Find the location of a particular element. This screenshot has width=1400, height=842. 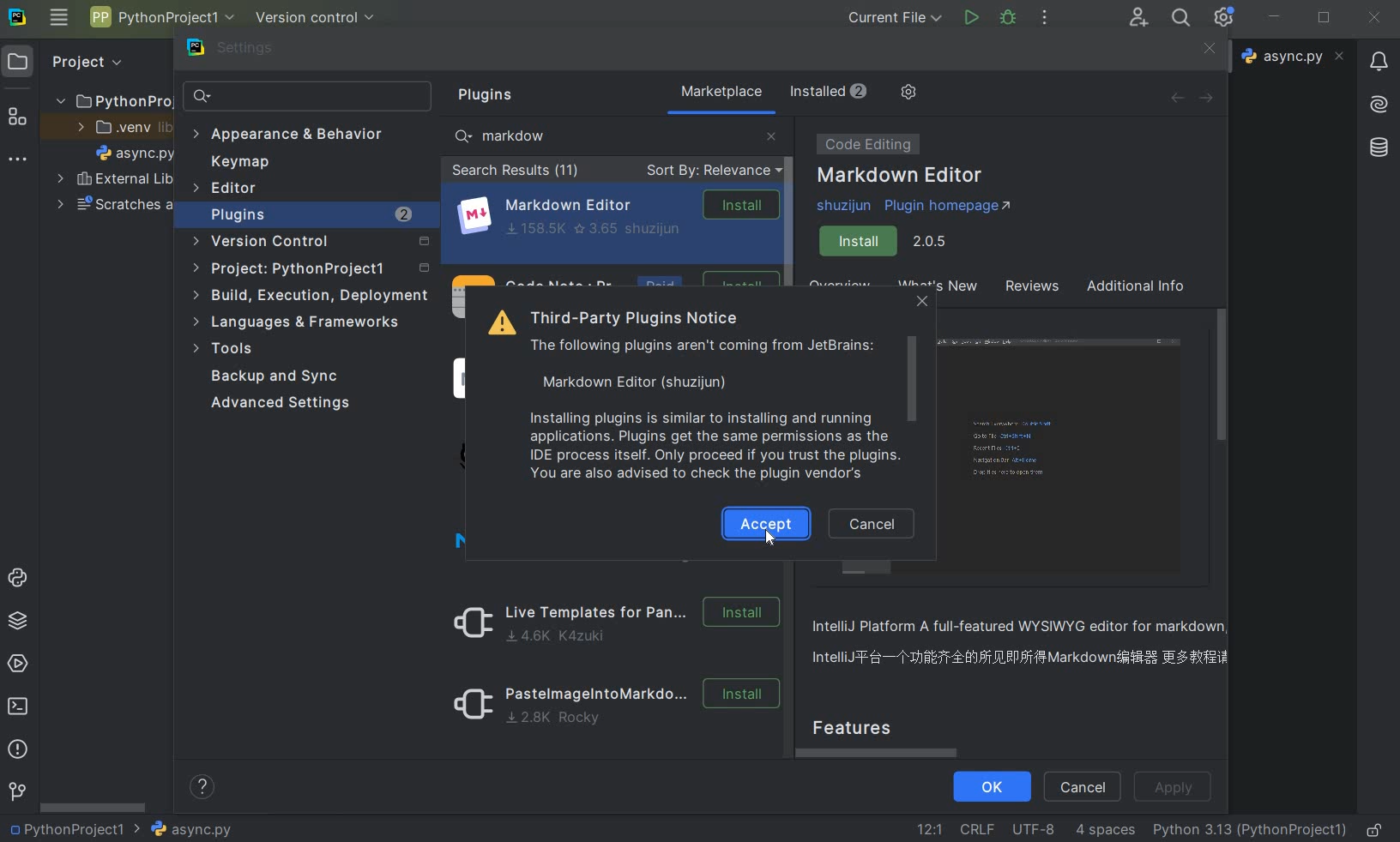

marketplace is located at coordinates (722, 92).